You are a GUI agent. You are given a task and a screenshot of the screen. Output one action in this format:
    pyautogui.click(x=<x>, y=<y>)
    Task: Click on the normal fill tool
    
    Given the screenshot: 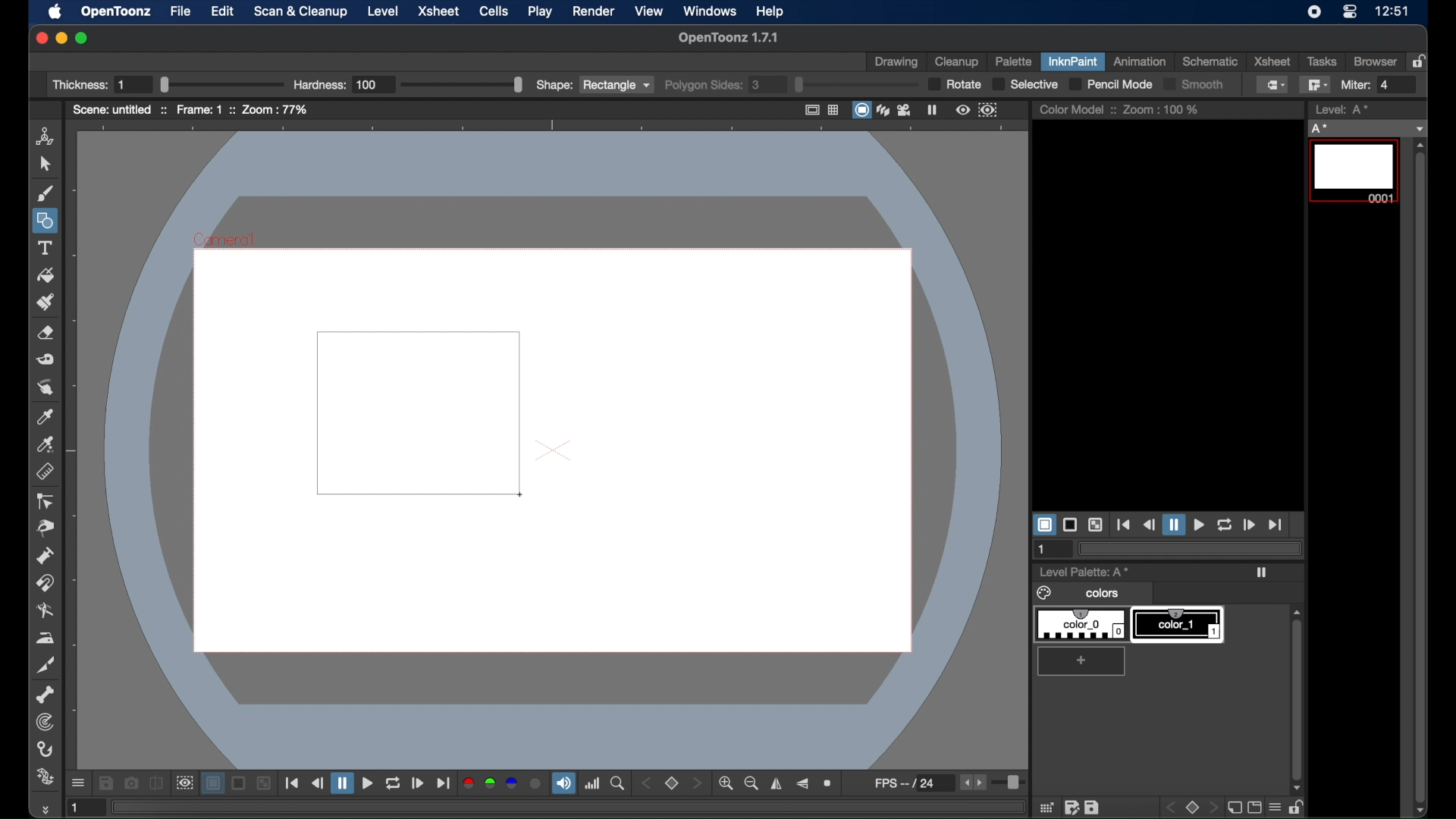 What is the action you would take?
    pyautogui.click(x=1274, y=85)
    